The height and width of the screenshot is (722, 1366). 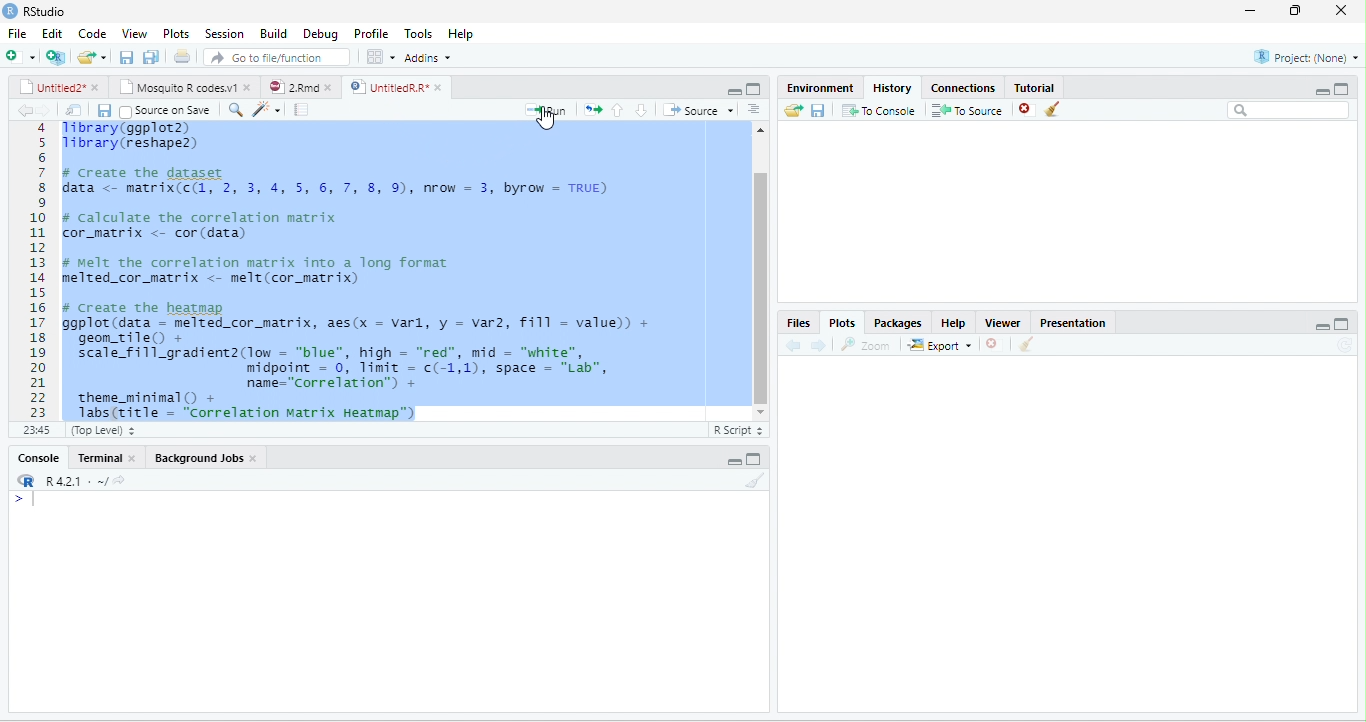 What do you see at coordinates (300, 111) in the screenshot?
I see `document` at bounding box center [300, 111].